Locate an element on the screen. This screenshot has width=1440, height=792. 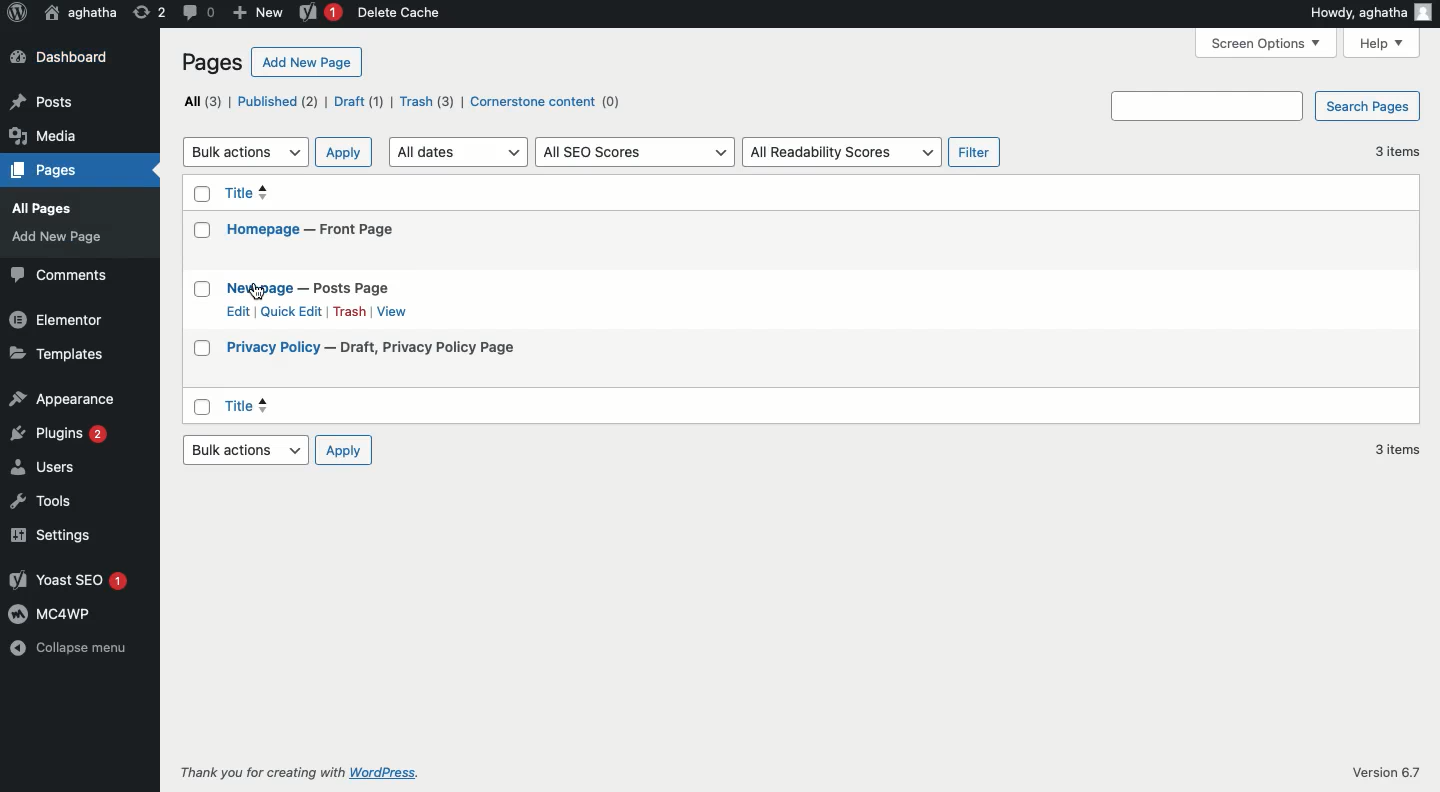
All dates is located at coordinates (458, 152).